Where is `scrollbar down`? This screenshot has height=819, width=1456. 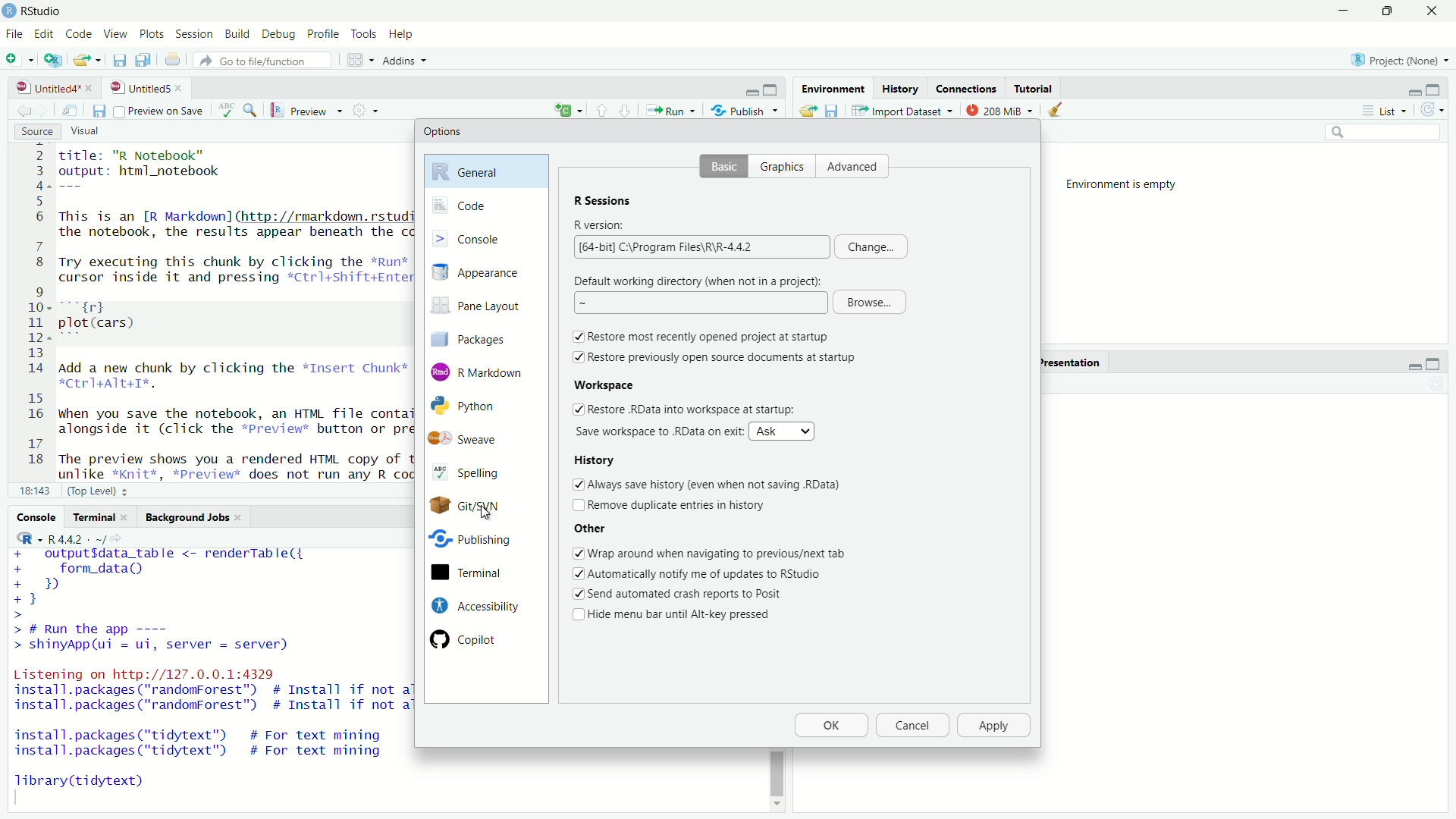
scrollbar down is located at coordinates (775, 808).